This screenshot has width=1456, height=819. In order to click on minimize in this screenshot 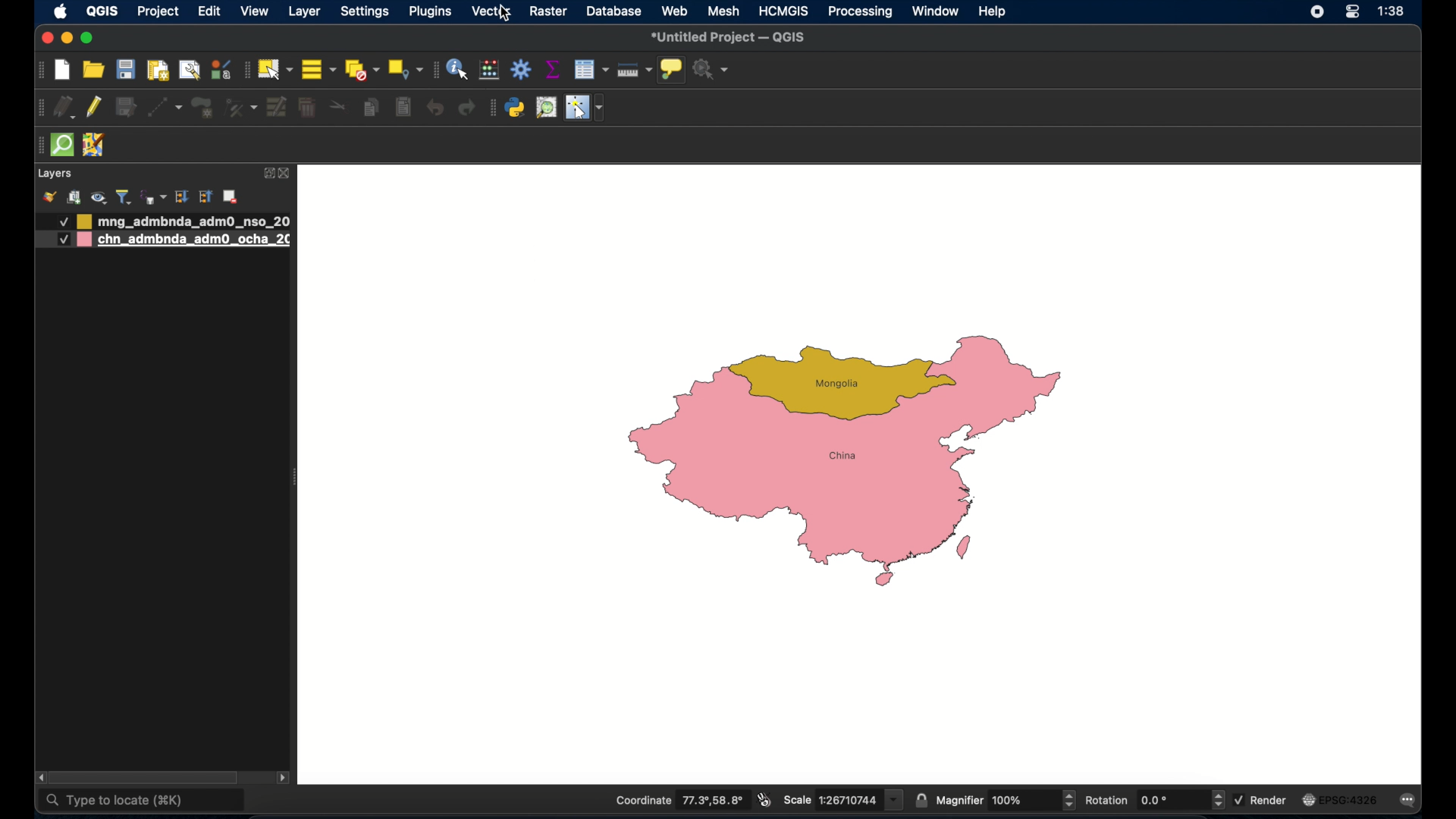, I will do `click(67, 39)`.